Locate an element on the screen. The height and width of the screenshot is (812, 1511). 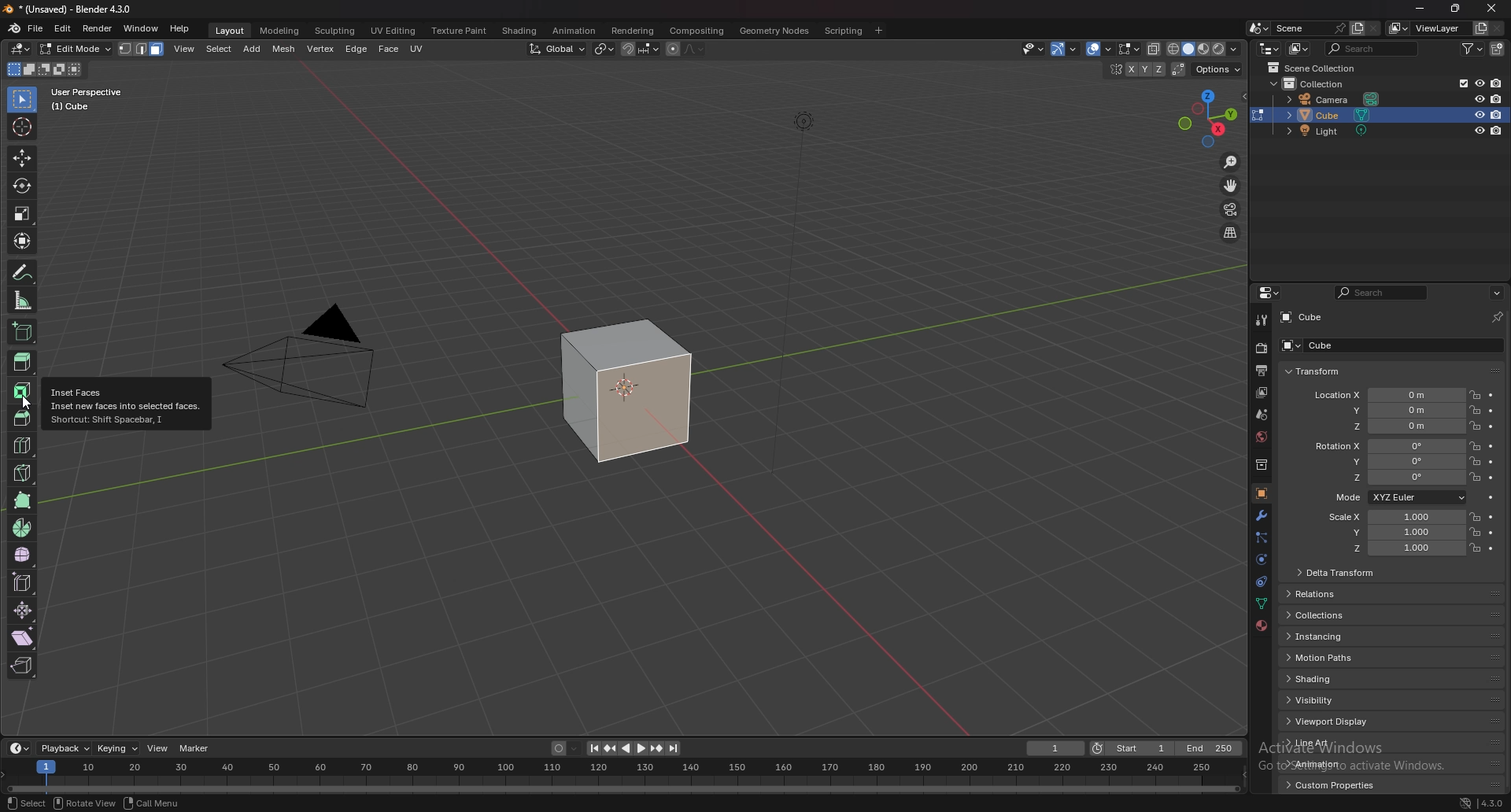
hide in viewport is located at coordinates (1477, 115).